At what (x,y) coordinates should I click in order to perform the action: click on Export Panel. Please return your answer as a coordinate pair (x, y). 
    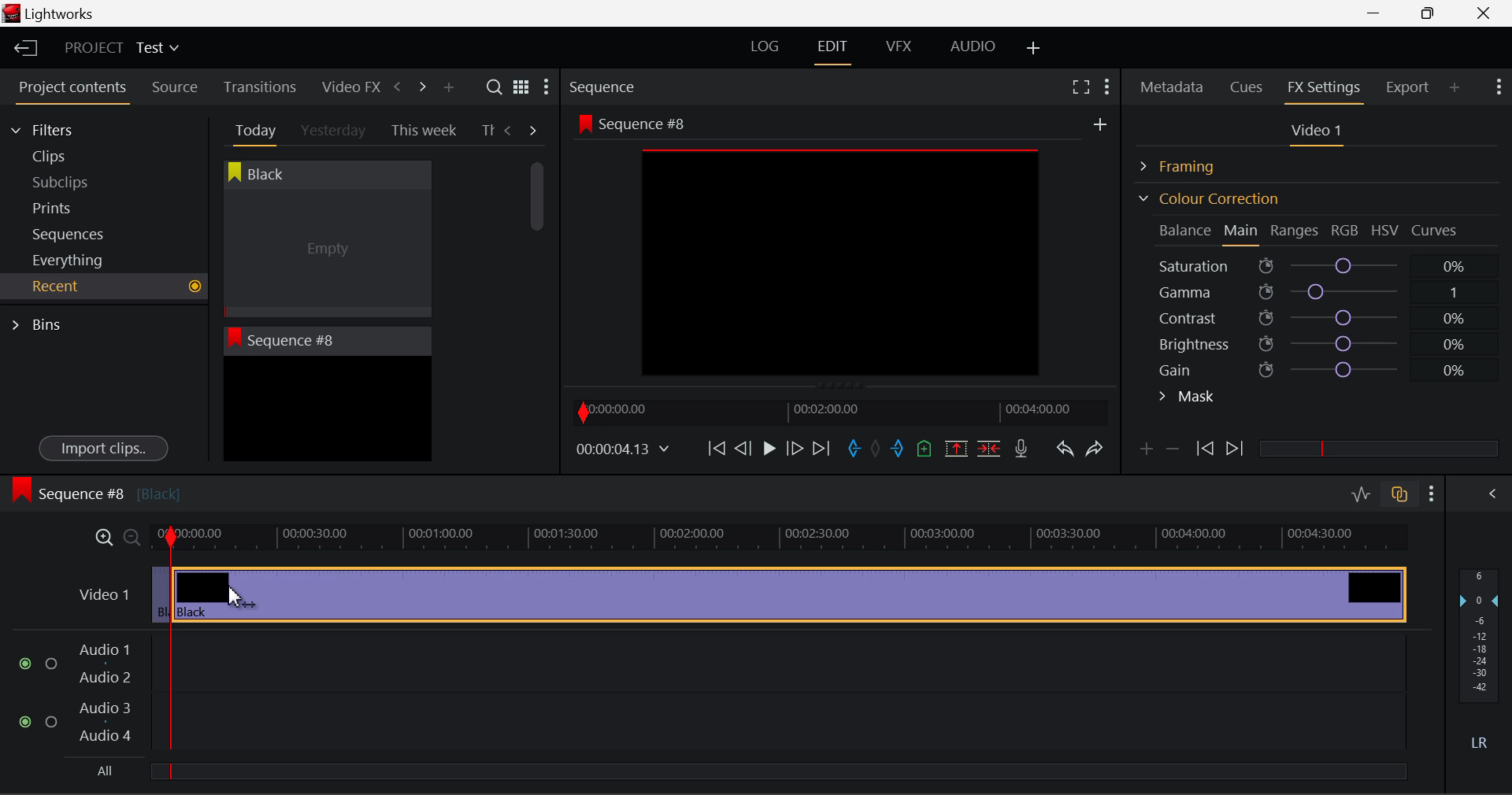
    Looking at the image, I should click on (1410, 87).